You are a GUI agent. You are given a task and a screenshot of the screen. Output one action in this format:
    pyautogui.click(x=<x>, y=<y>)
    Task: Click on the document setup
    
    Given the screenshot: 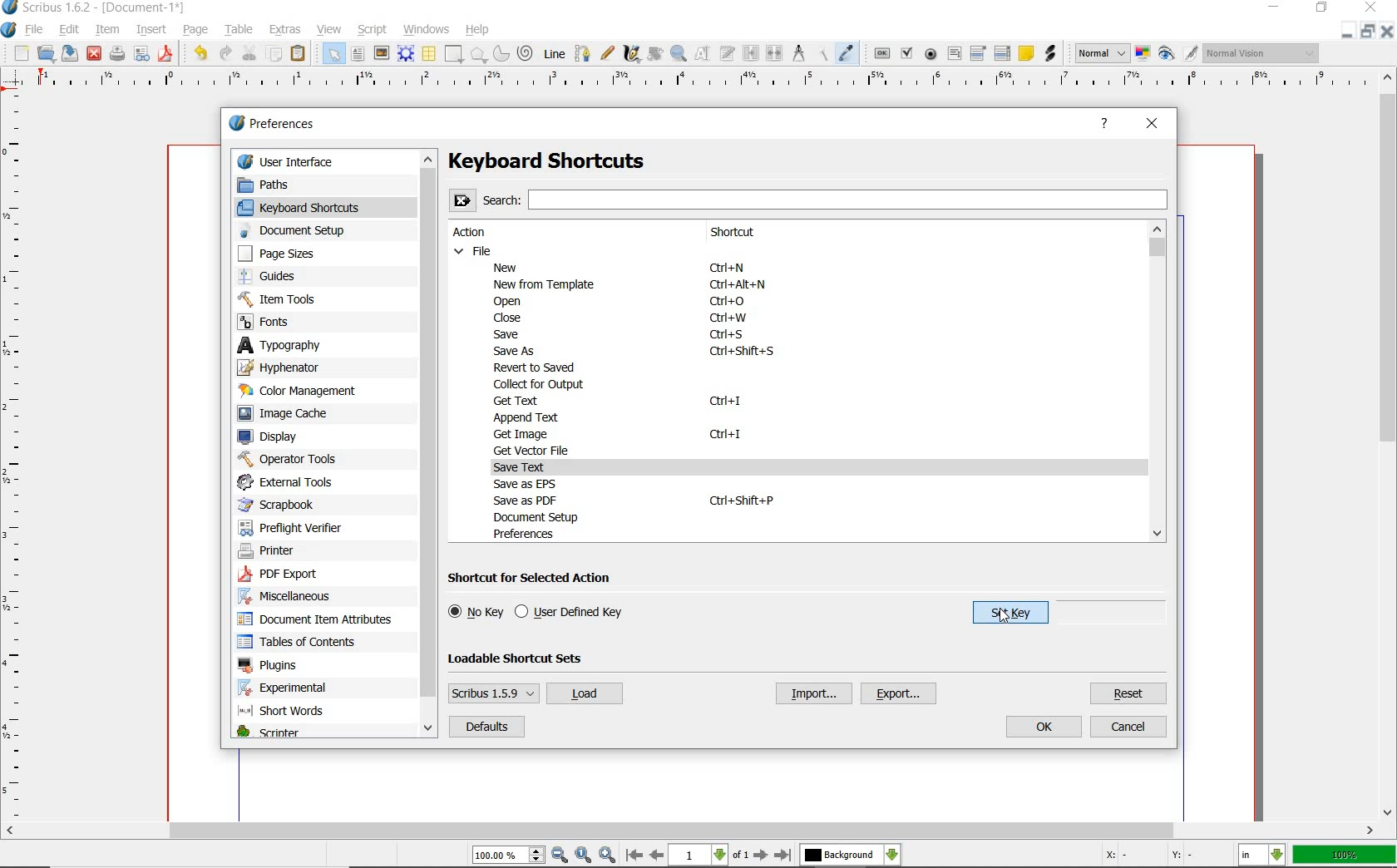 What is the action you would take?
    pyautogui.click(x=304, y=230)
    